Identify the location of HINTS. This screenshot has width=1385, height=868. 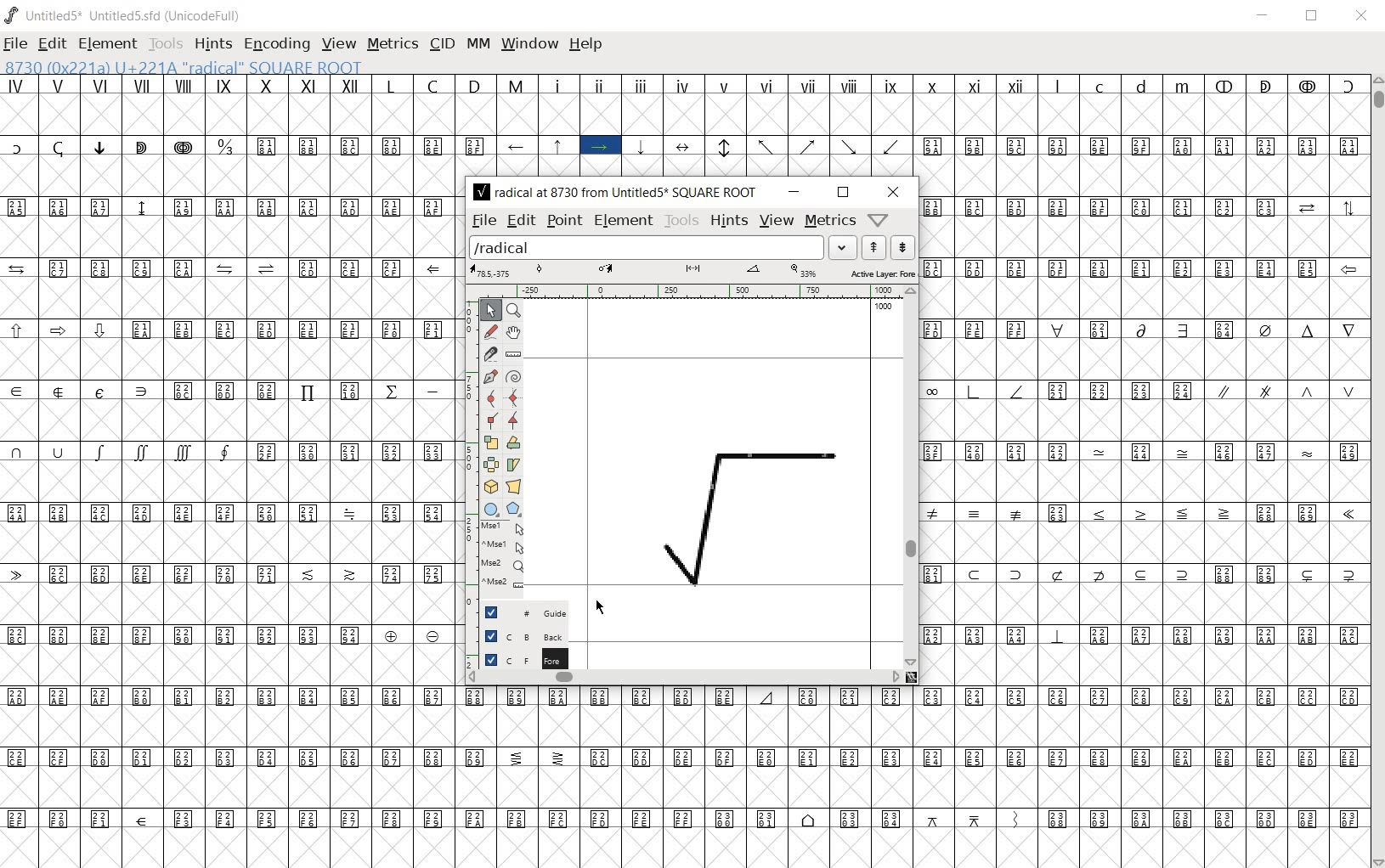
(212, 45).